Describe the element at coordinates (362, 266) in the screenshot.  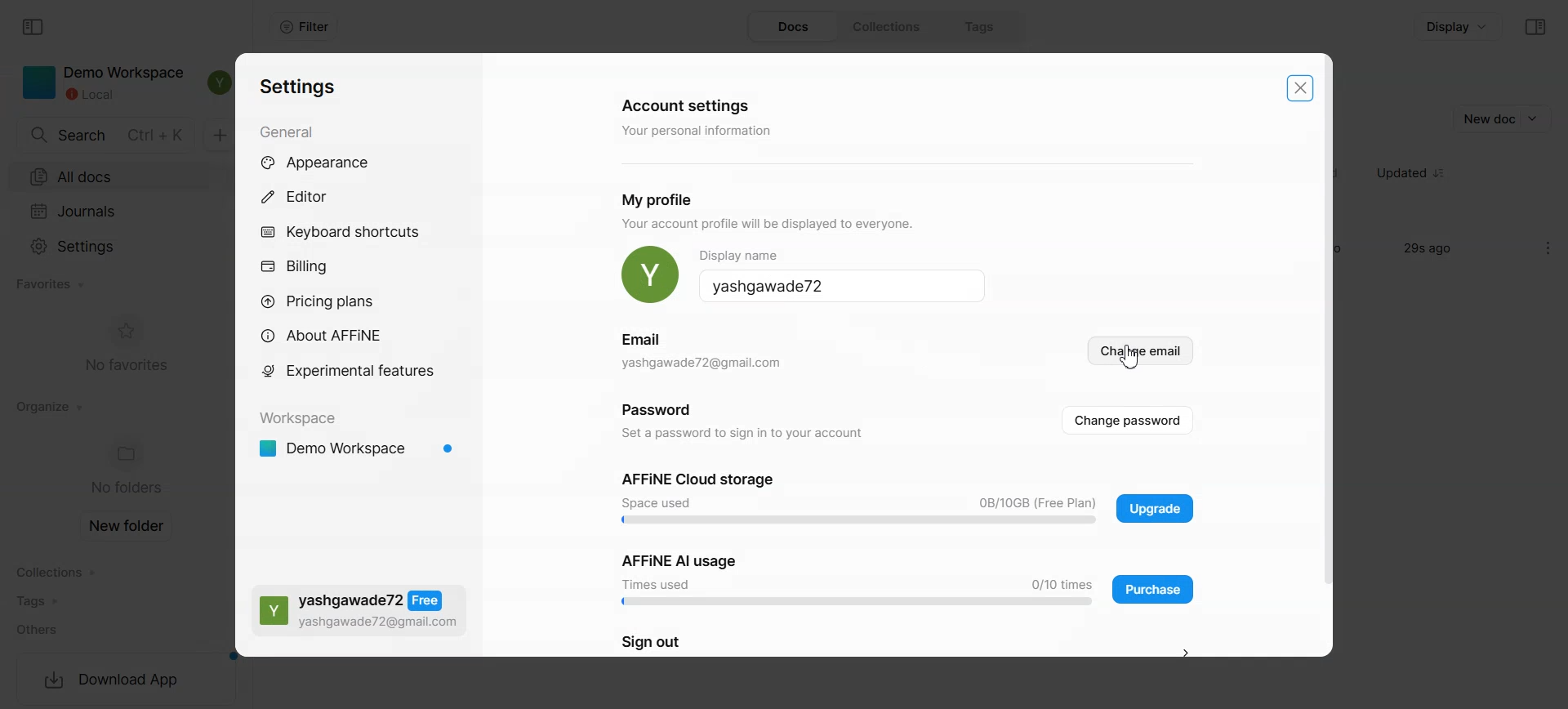
I see `Billing` at that location.